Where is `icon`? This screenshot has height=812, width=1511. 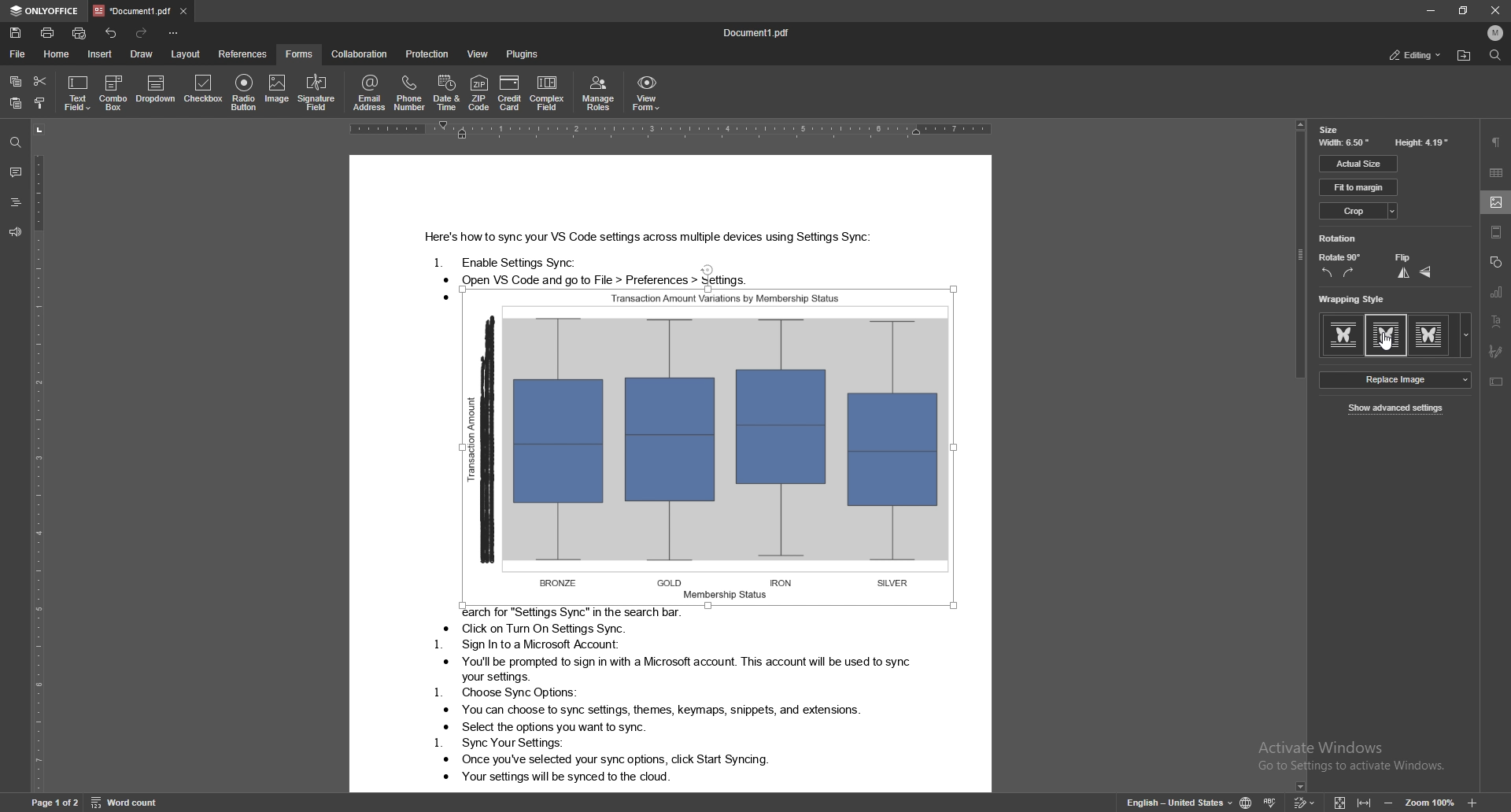
icon is located at coordinates (1474, 803).